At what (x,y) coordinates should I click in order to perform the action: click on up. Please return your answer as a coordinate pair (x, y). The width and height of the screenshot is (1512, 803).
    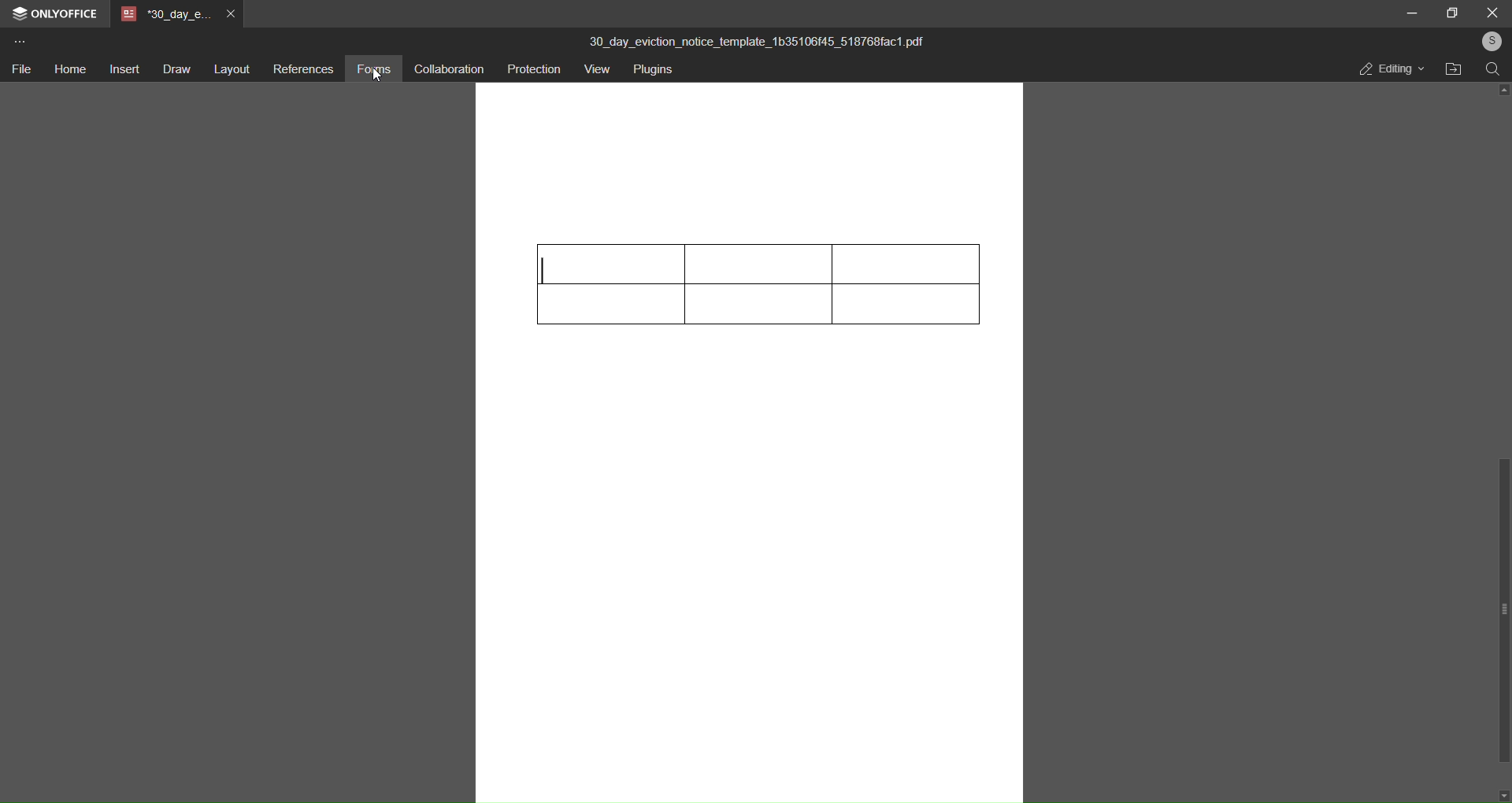
    Looking at the image, I should click on (1502, 91).